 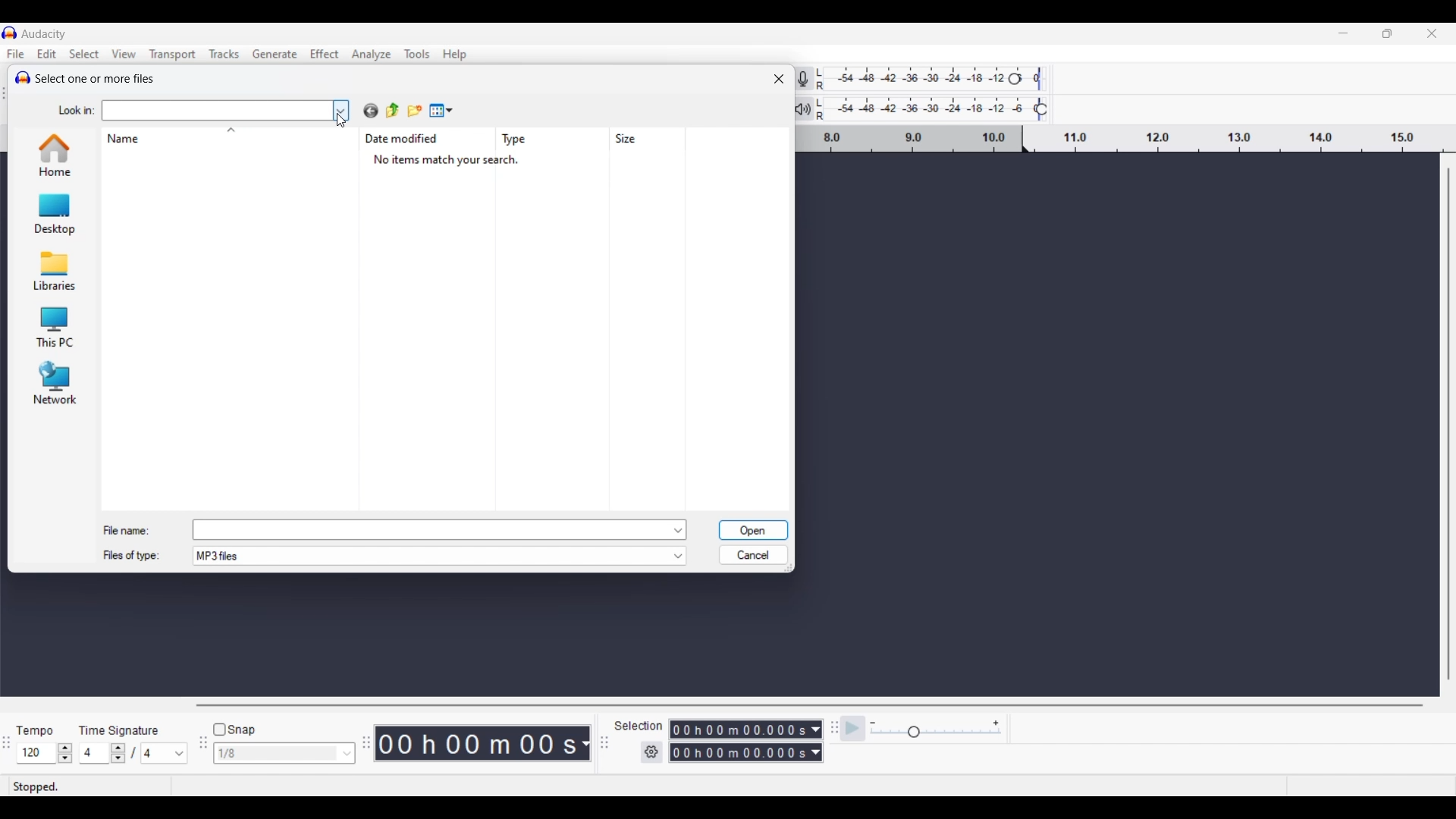 What do you see at coordinates (415, 110) in the screenshot?
I see `Create new folder` at bounding box center [415, 110].